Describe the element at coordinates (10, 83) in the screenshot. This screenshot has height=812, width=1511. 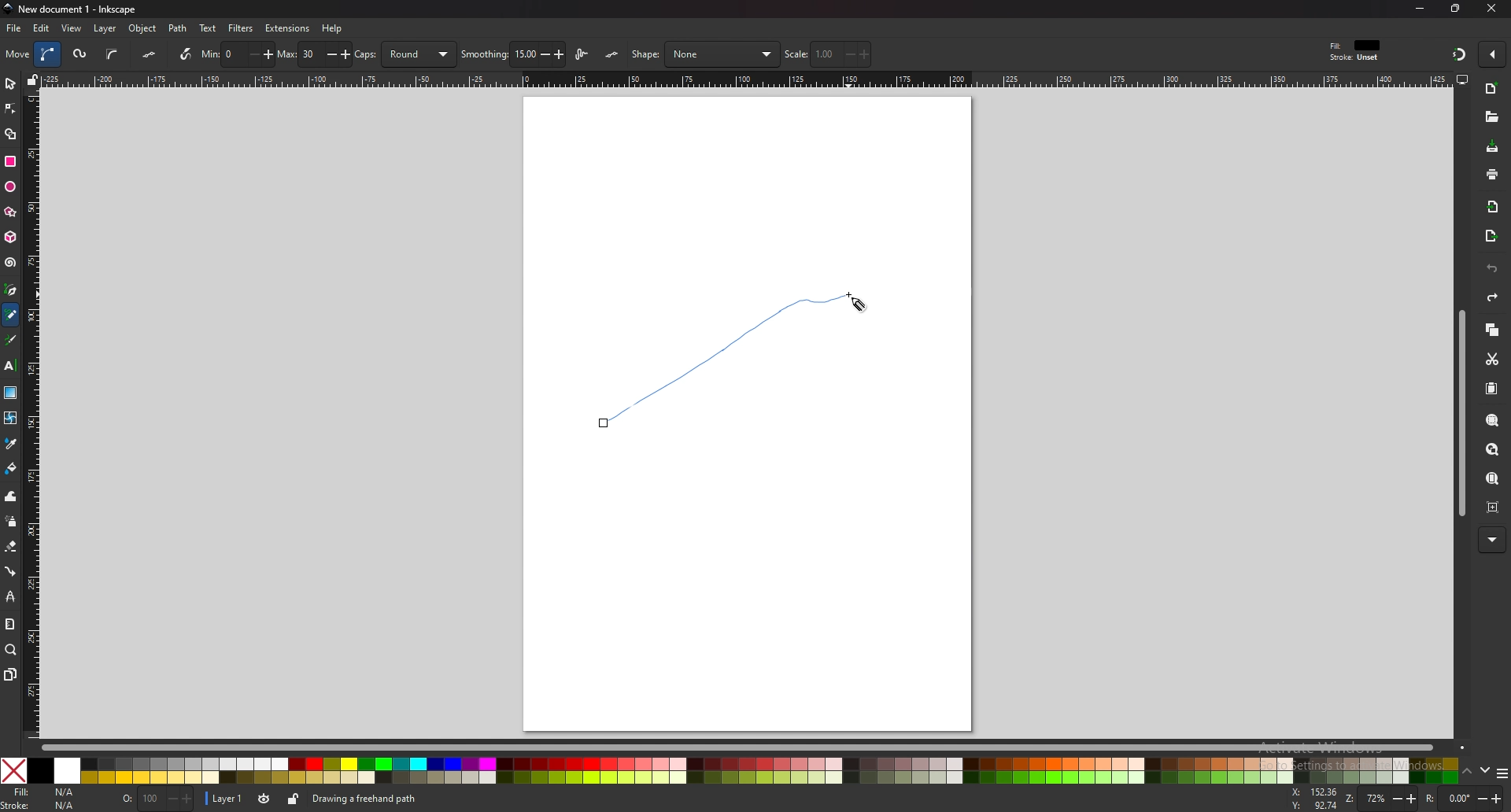
I see `selector` at that location.